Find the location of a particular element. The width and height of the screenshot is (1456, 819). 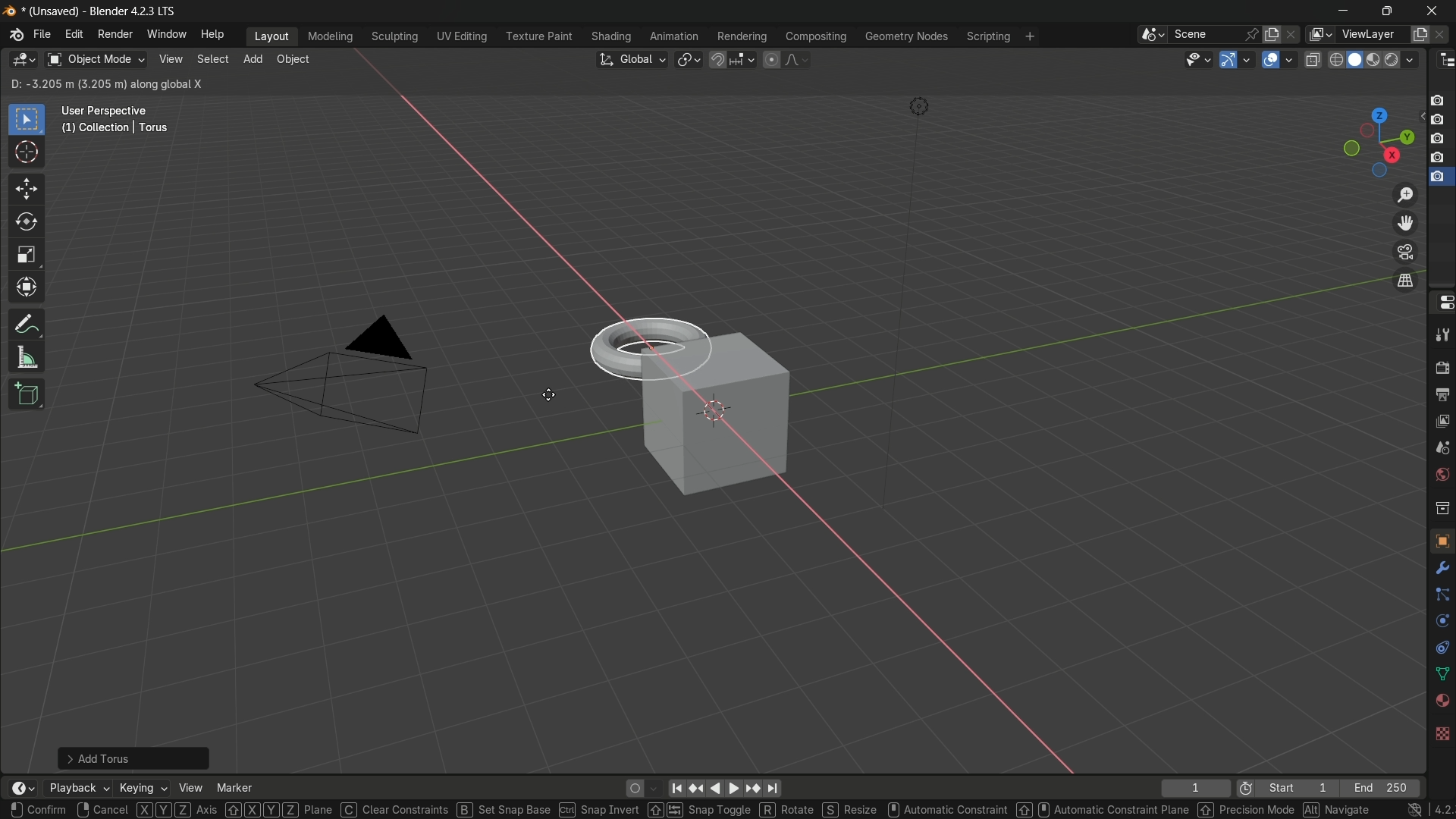

logo is located at coordinates (11, 11).